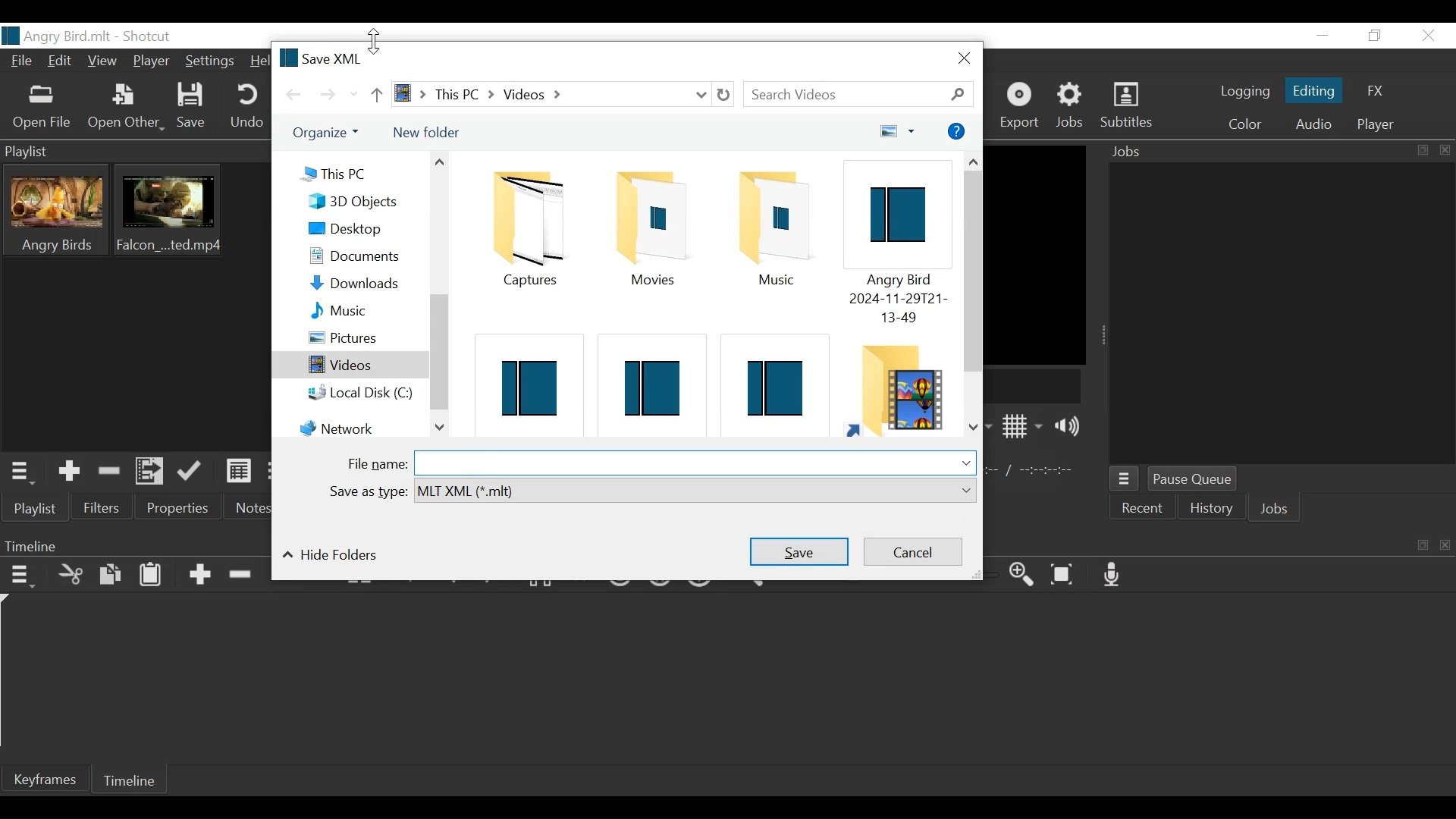 The height and width of the screenshot is (819, 1456). I want to click on Shotcut File, so click(893, 246).